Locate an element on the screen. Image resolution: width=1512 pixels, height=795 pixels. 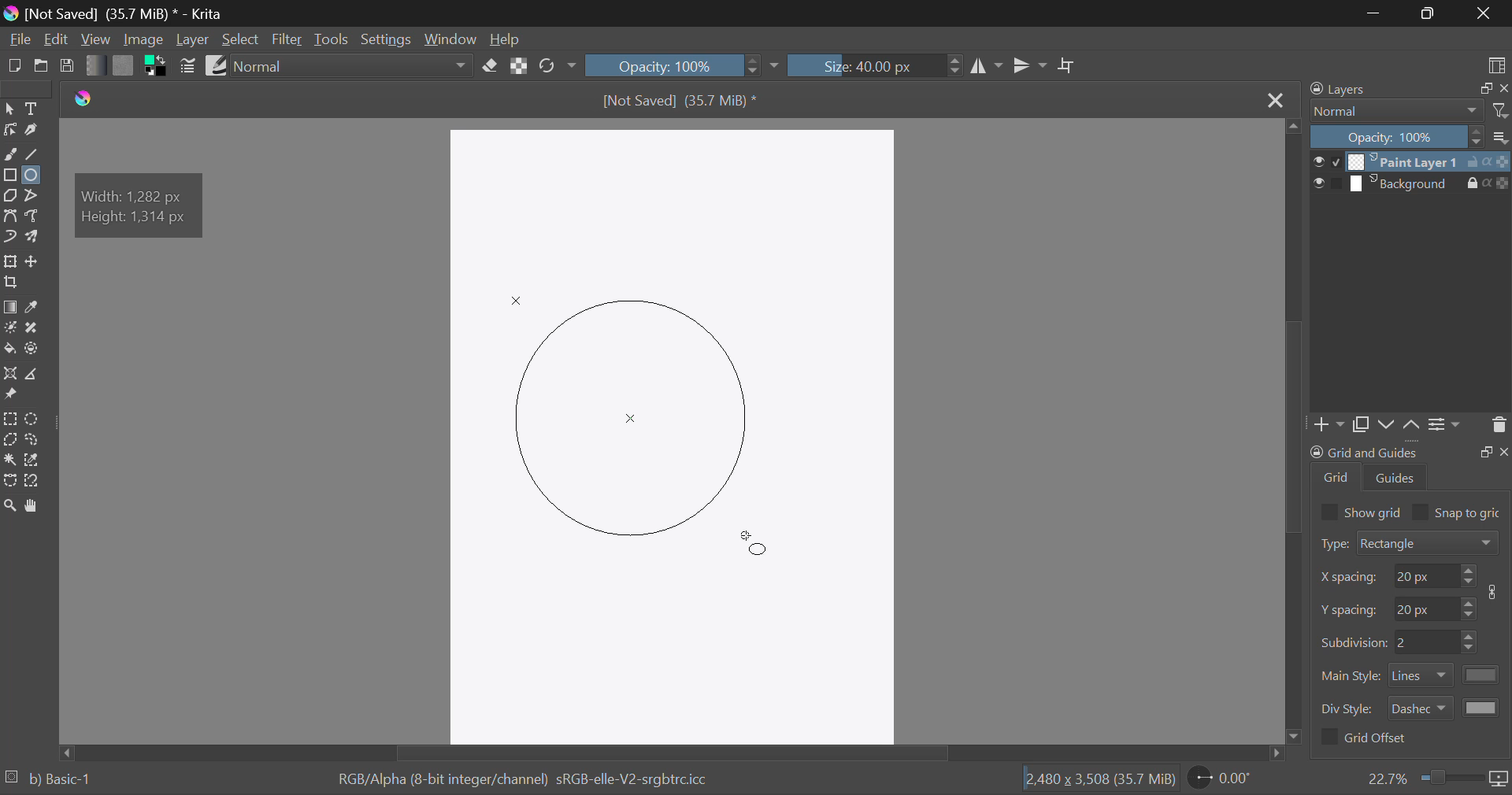
Assistant Tool is located at coordinates (10, 374).